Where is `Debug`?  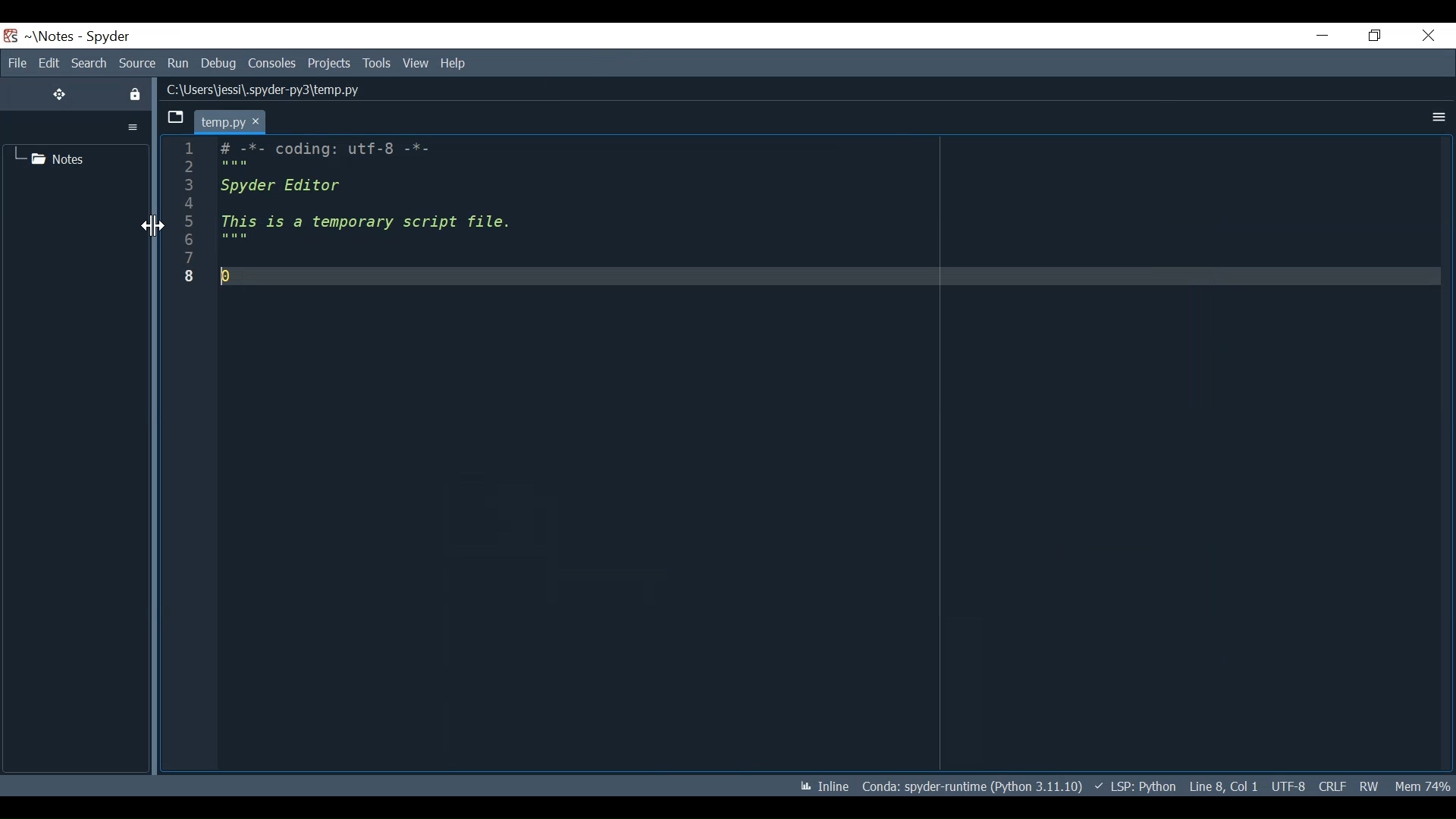
Debug is located at coordinates (219, 64).